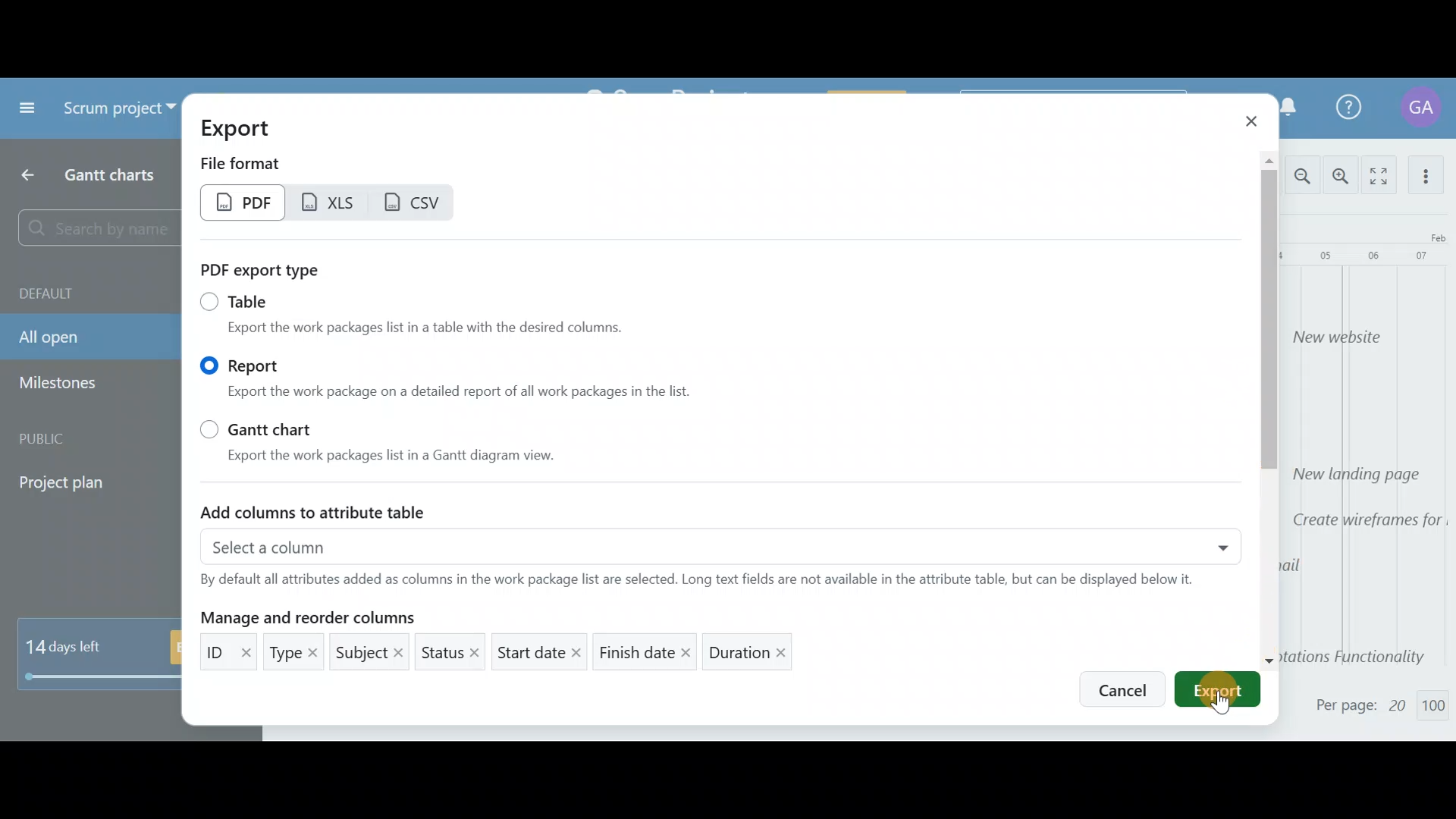 The image size is (1456, 819). Describe the element at coordinates (1296, 107) in the screenshot. I see `Notification Centre` at that location.